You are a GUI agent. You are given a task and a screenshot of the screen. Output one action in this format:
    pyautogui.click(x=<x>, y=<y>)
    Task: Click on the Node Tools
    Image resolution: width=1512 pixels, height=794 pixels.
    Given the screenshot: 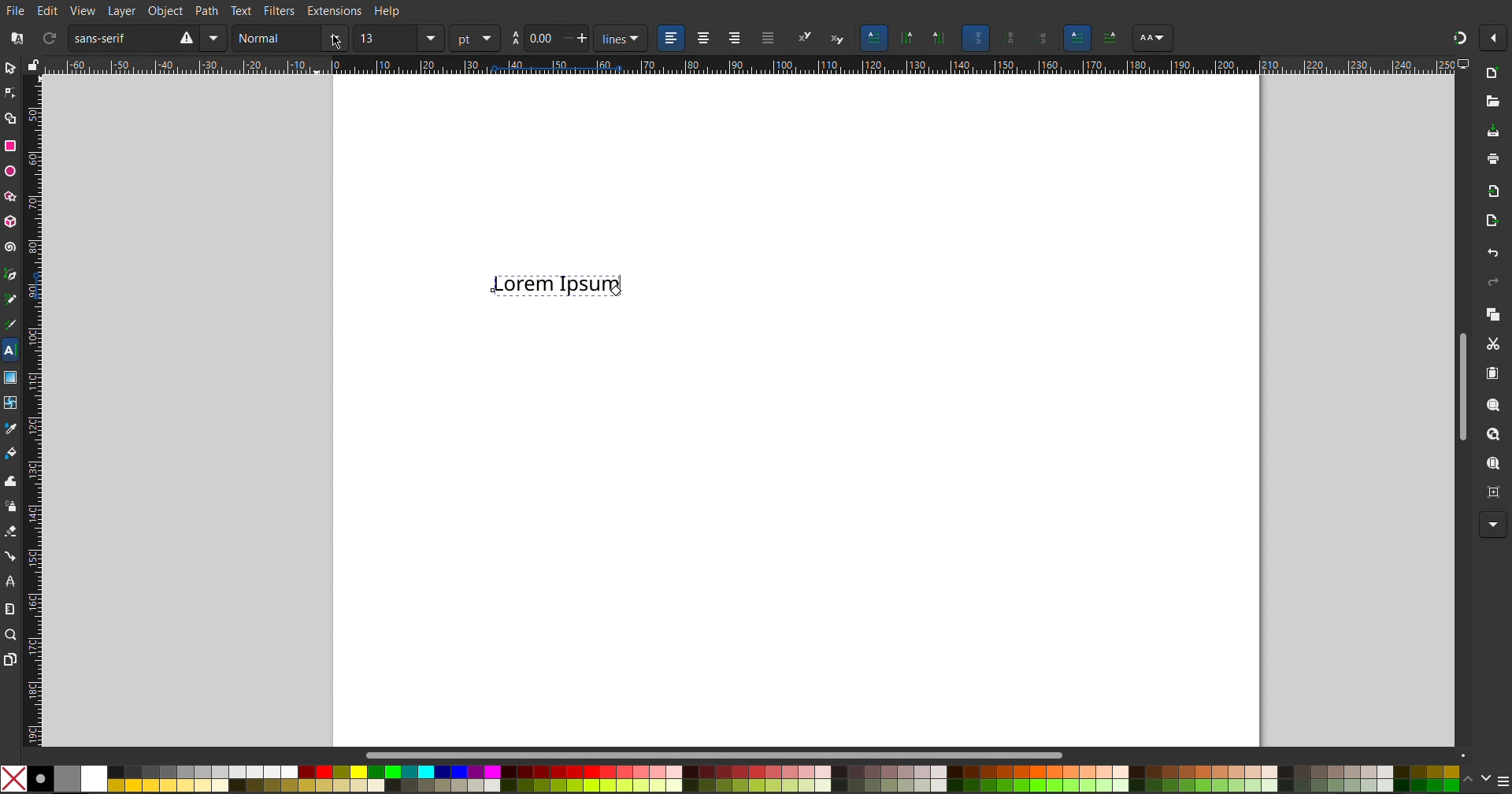 What is the action you would take?
    pyautogui.click(x=10, y=92)
    